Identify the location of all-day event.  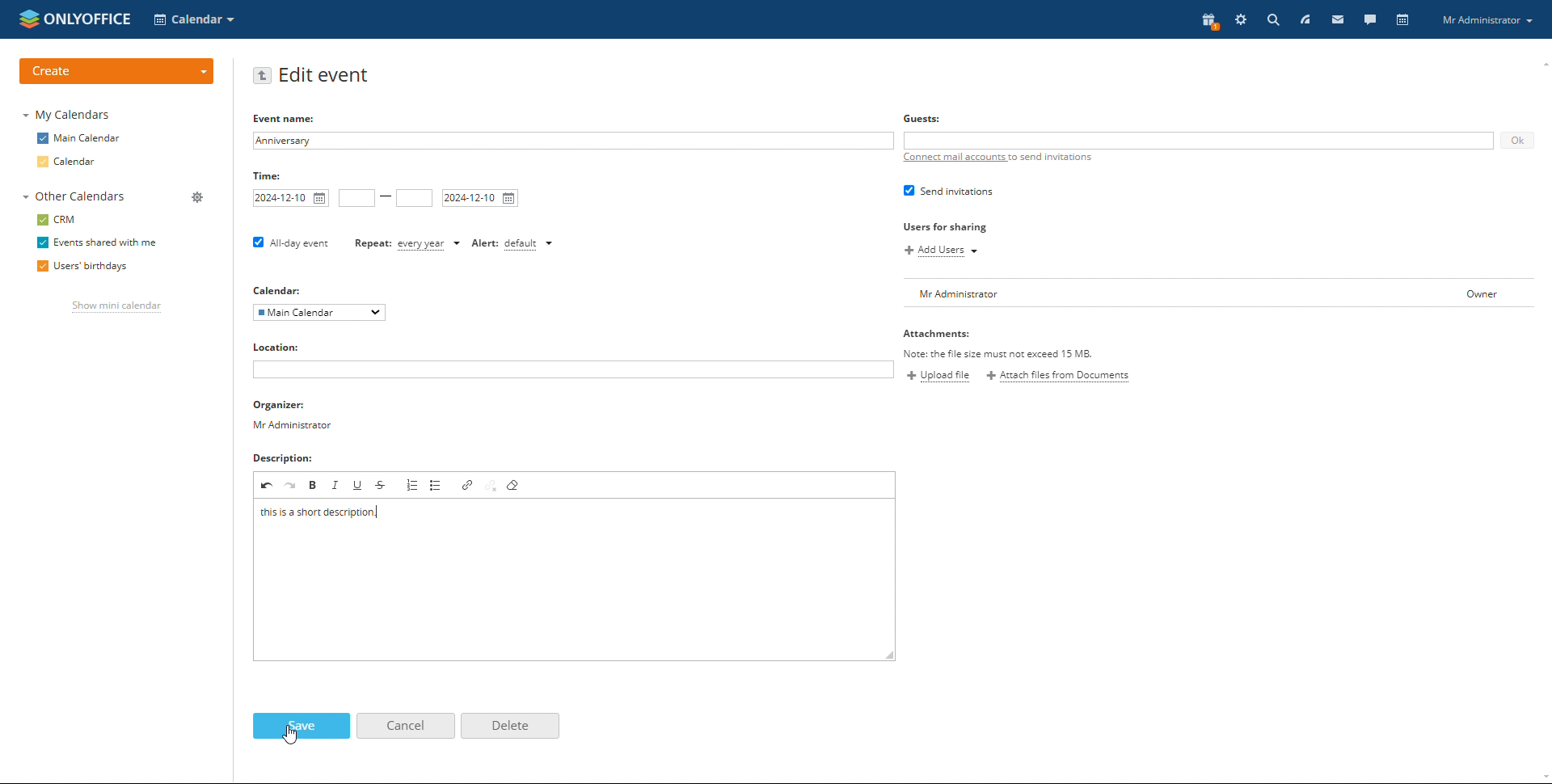
(291, 243).